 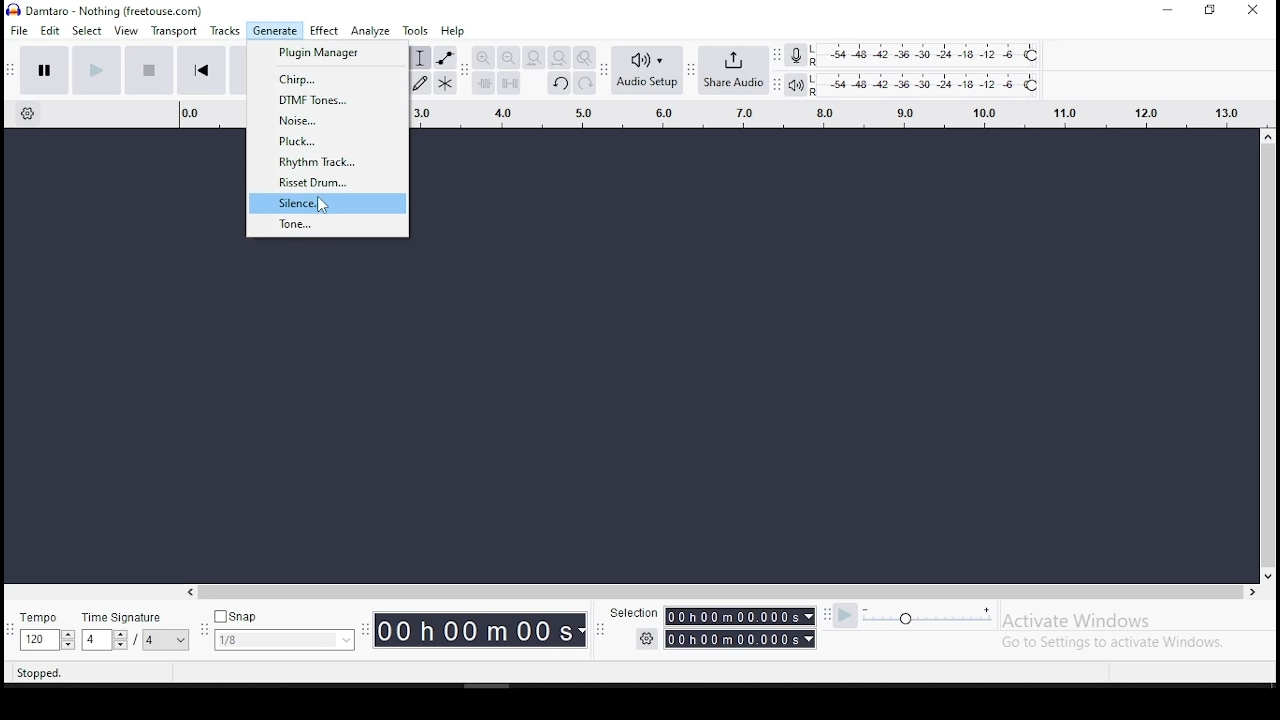 I want to click on Timer, so click(x=485, y=634).